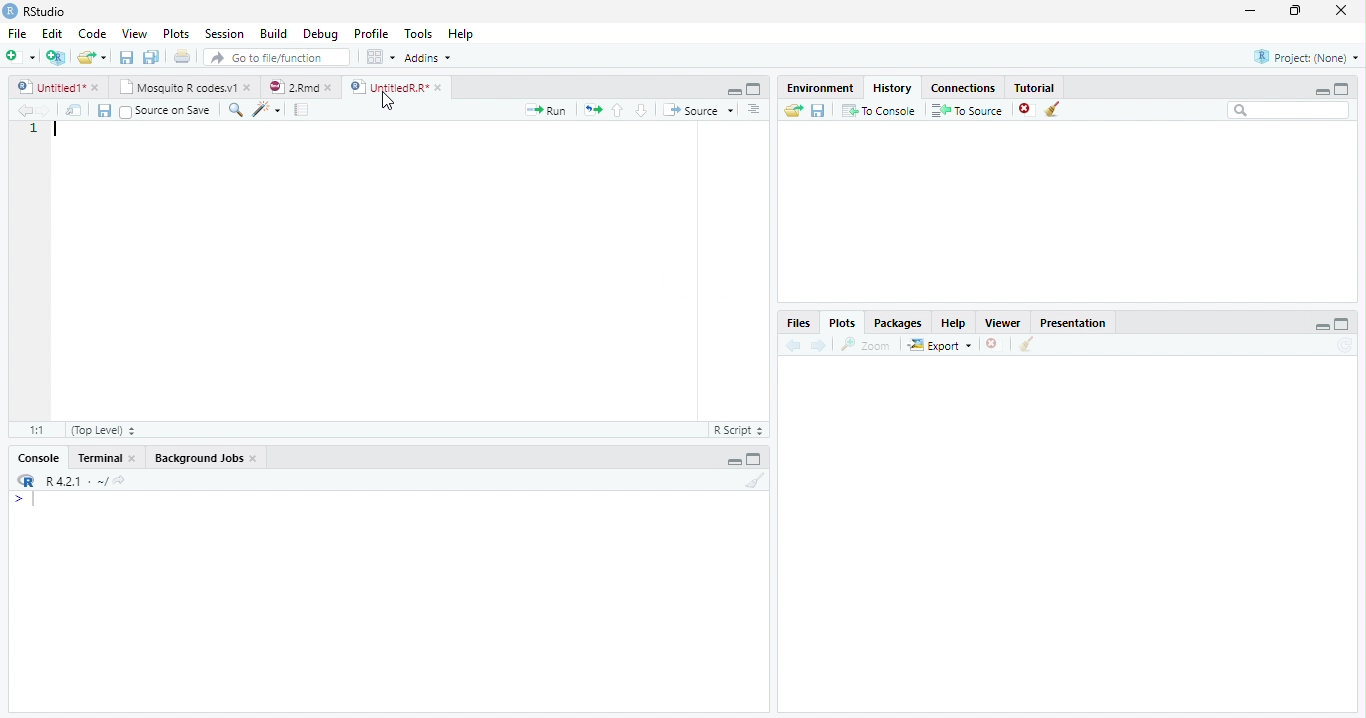  Describe the element at coordinates (50, 88) in the screenshot. I see `Untitled1*` at that location.